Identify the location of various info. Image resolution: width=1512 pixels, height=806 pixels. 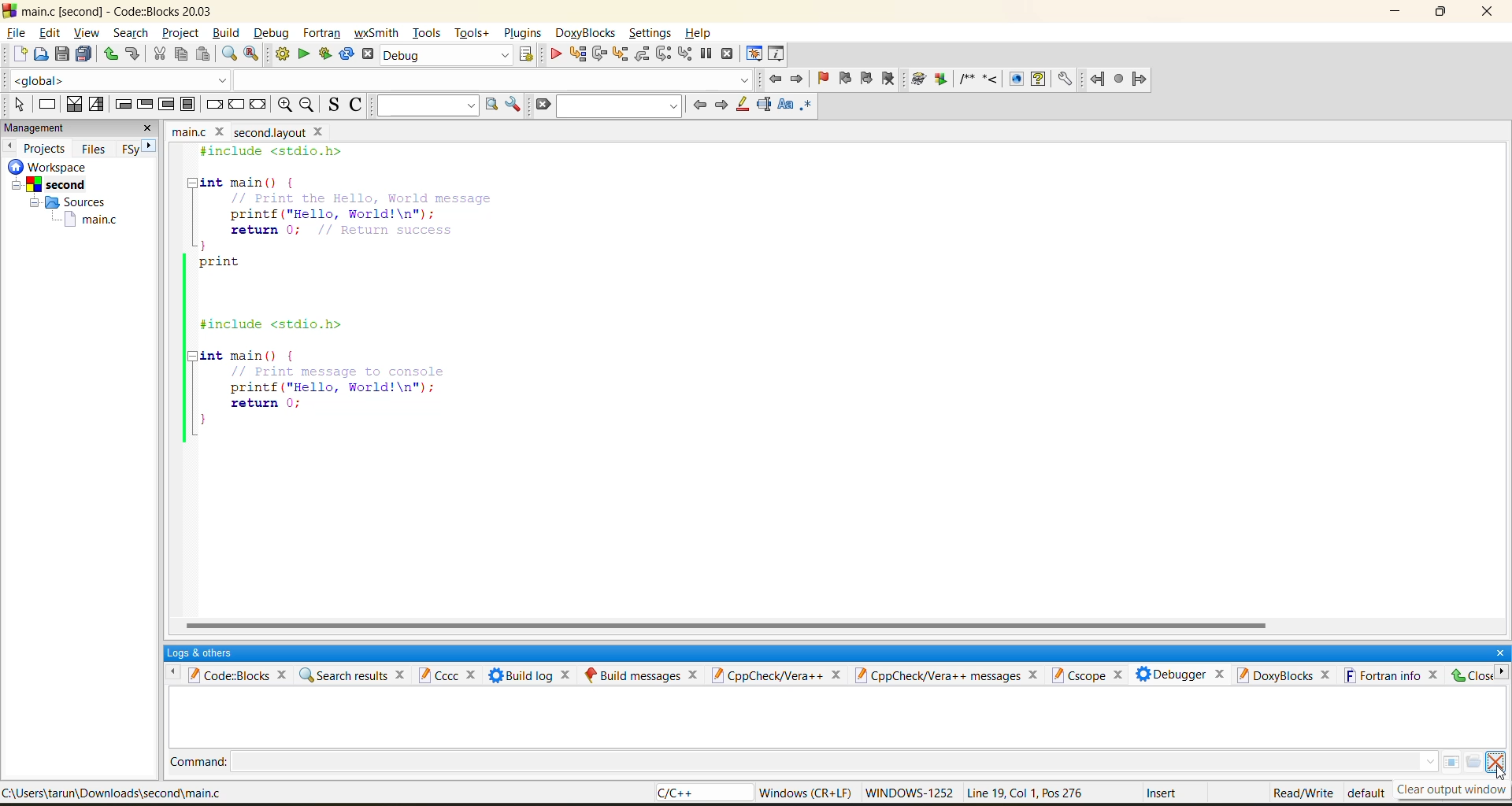
(780, 54).